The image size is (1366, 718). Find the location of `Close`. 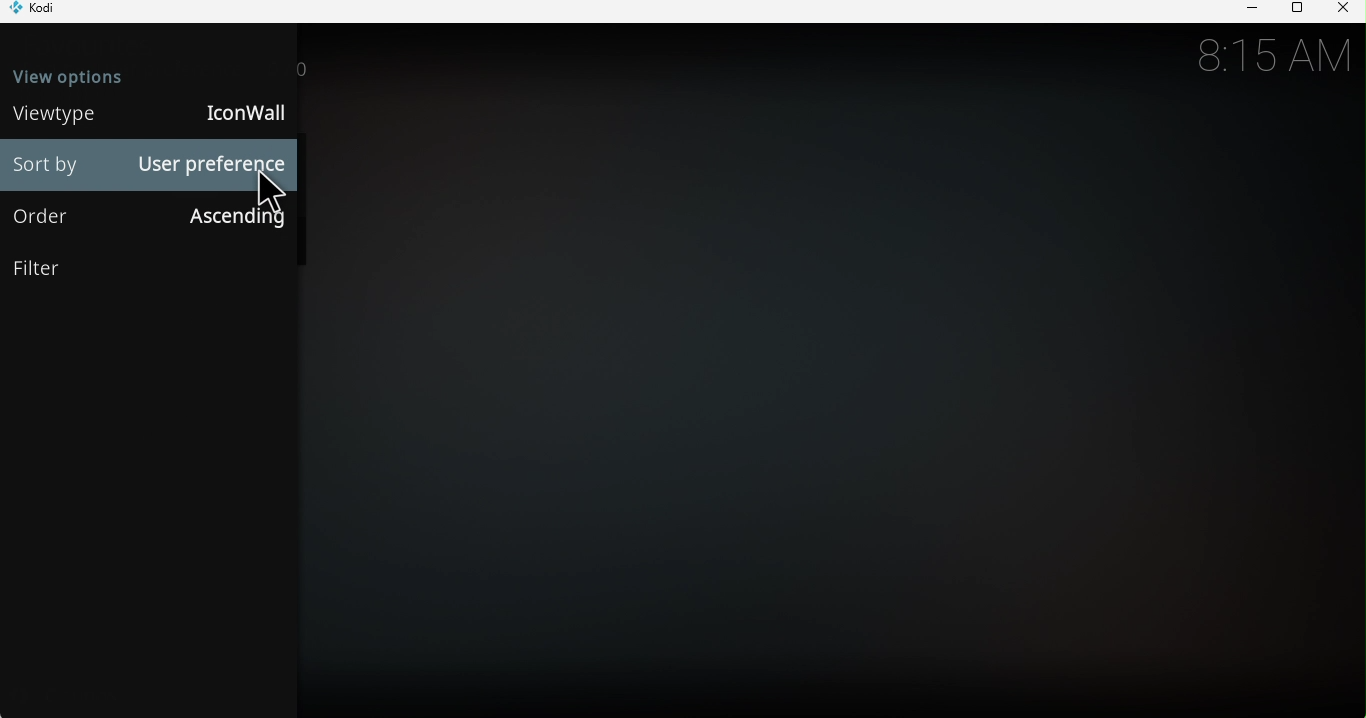

Close is located at coordinates (1342, 10).